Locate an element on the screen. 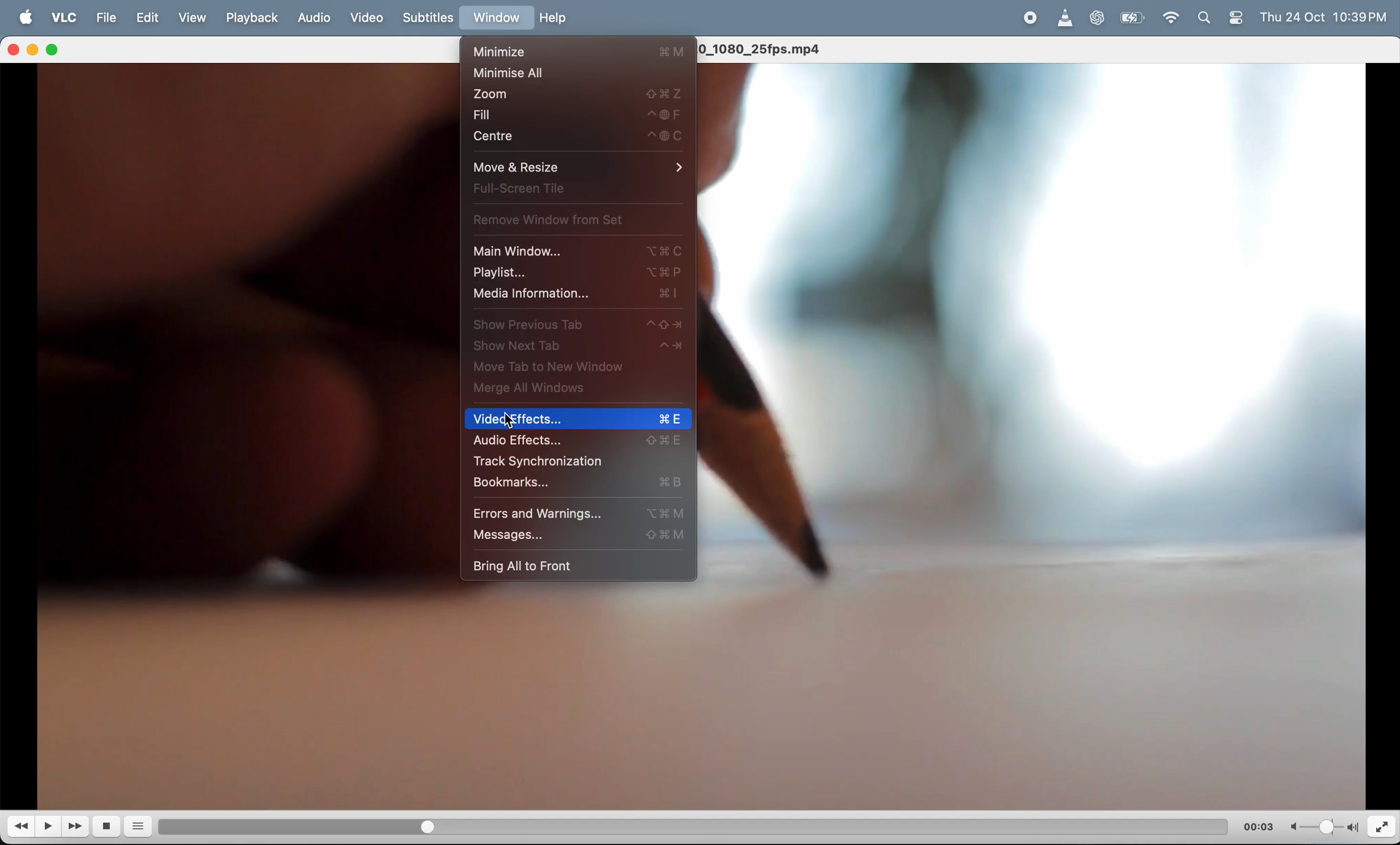  move and resize is located at coordinates (573, 168).